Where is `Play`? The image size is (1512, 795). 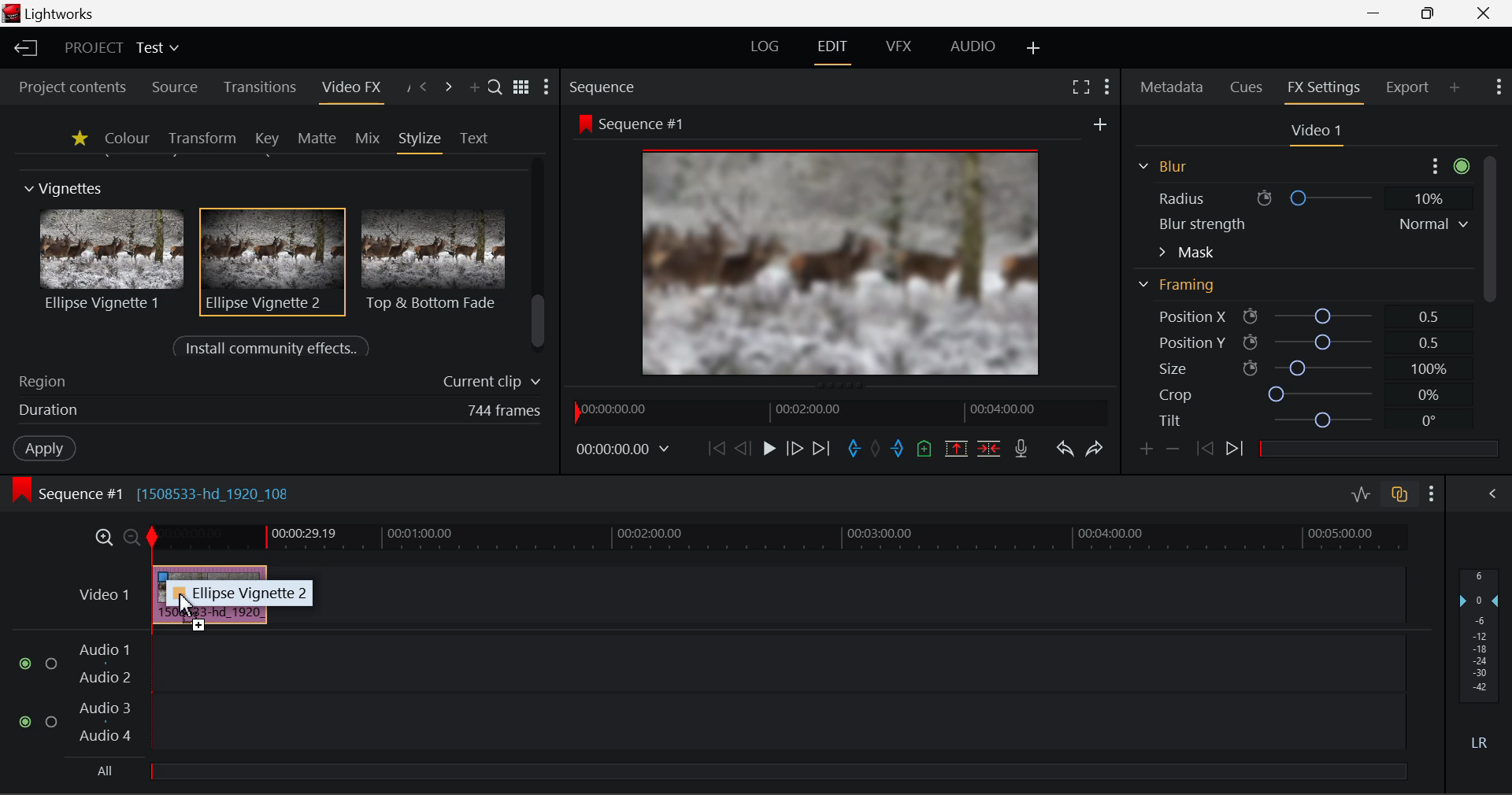 Play is located at coordinates (767, 449).